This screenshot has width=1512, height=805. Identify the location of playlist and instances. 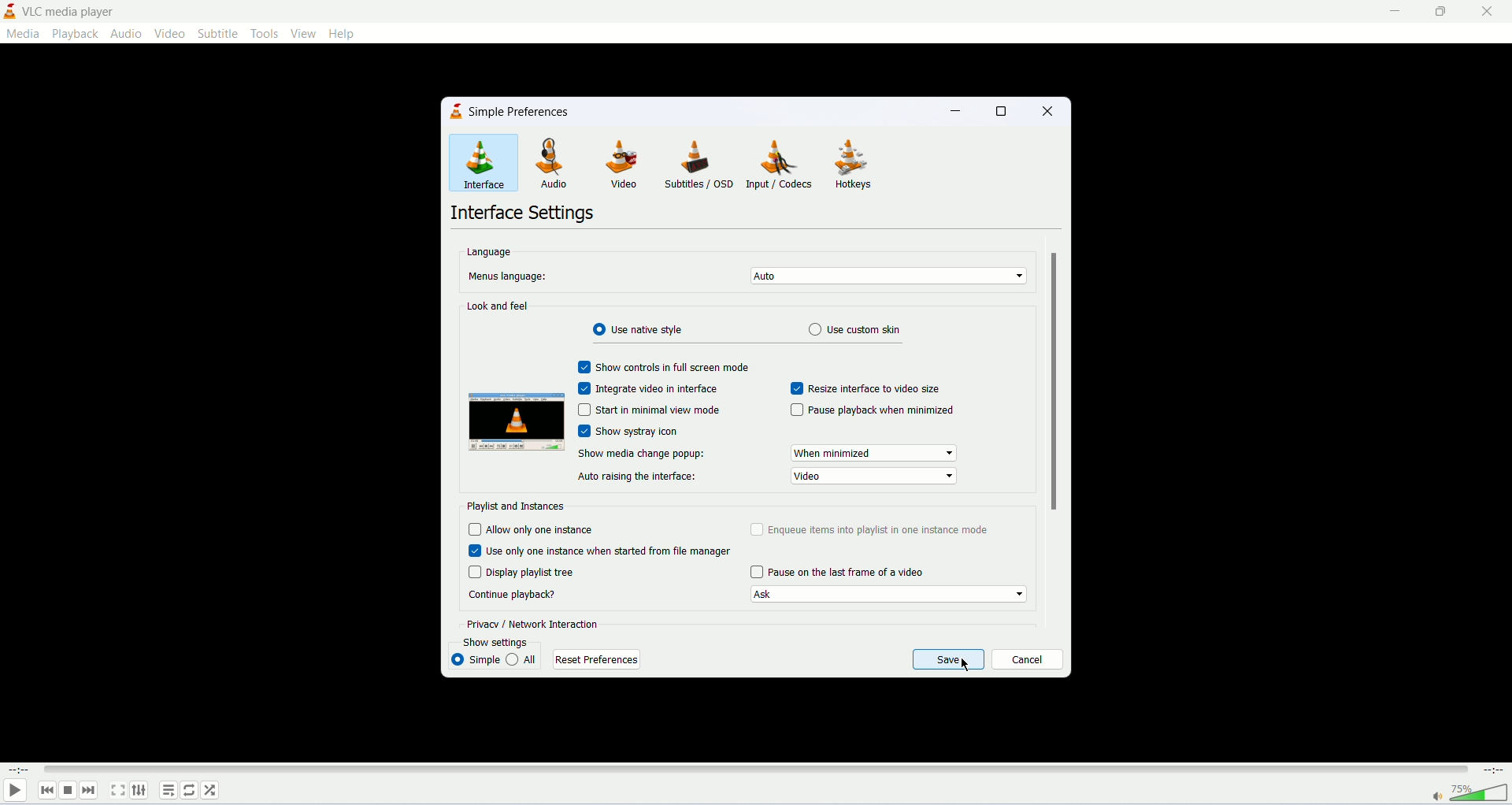
(516, 506).